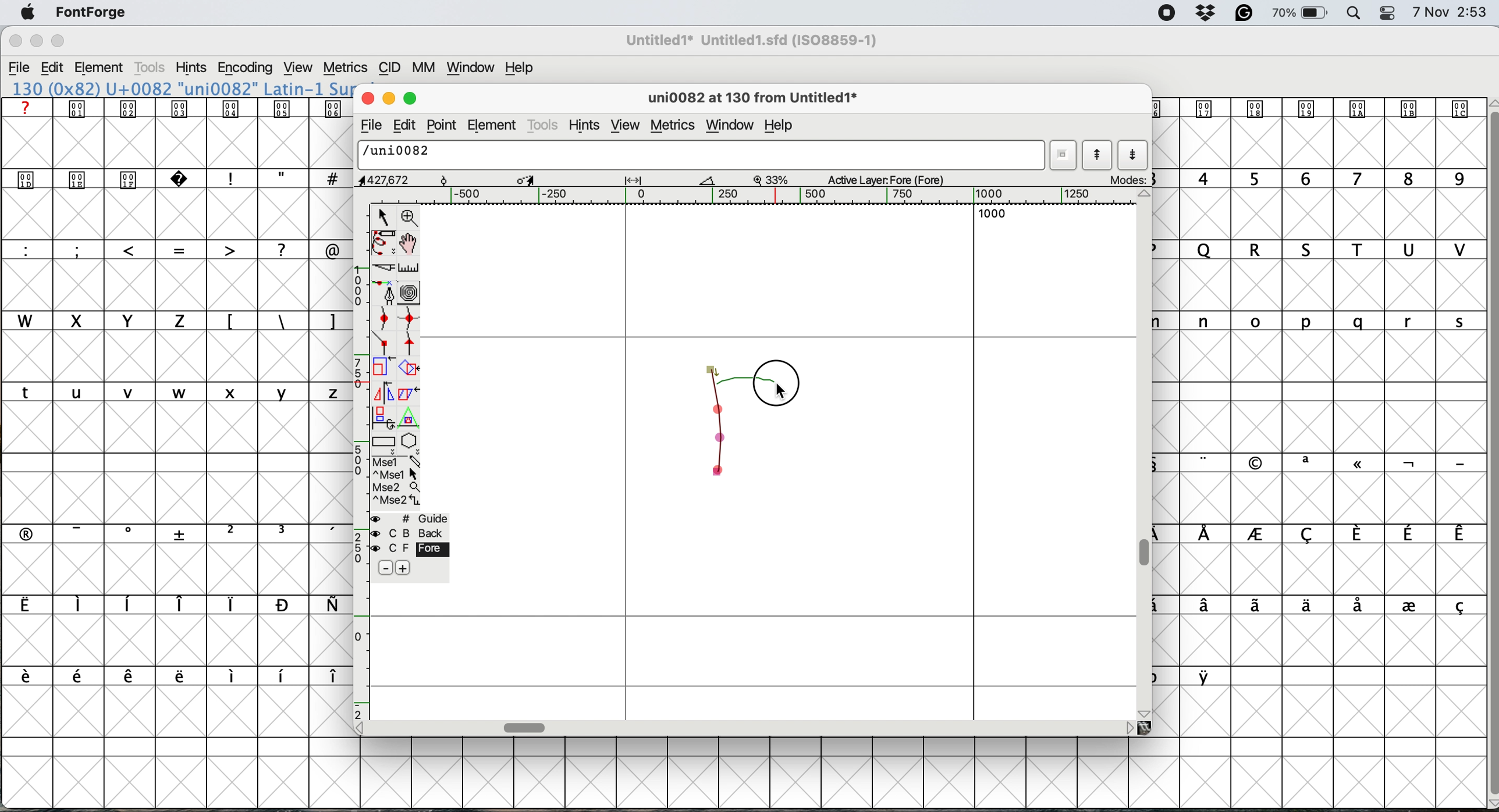 The image size is (1499, 812). I want to click on view, so click(300, 68).